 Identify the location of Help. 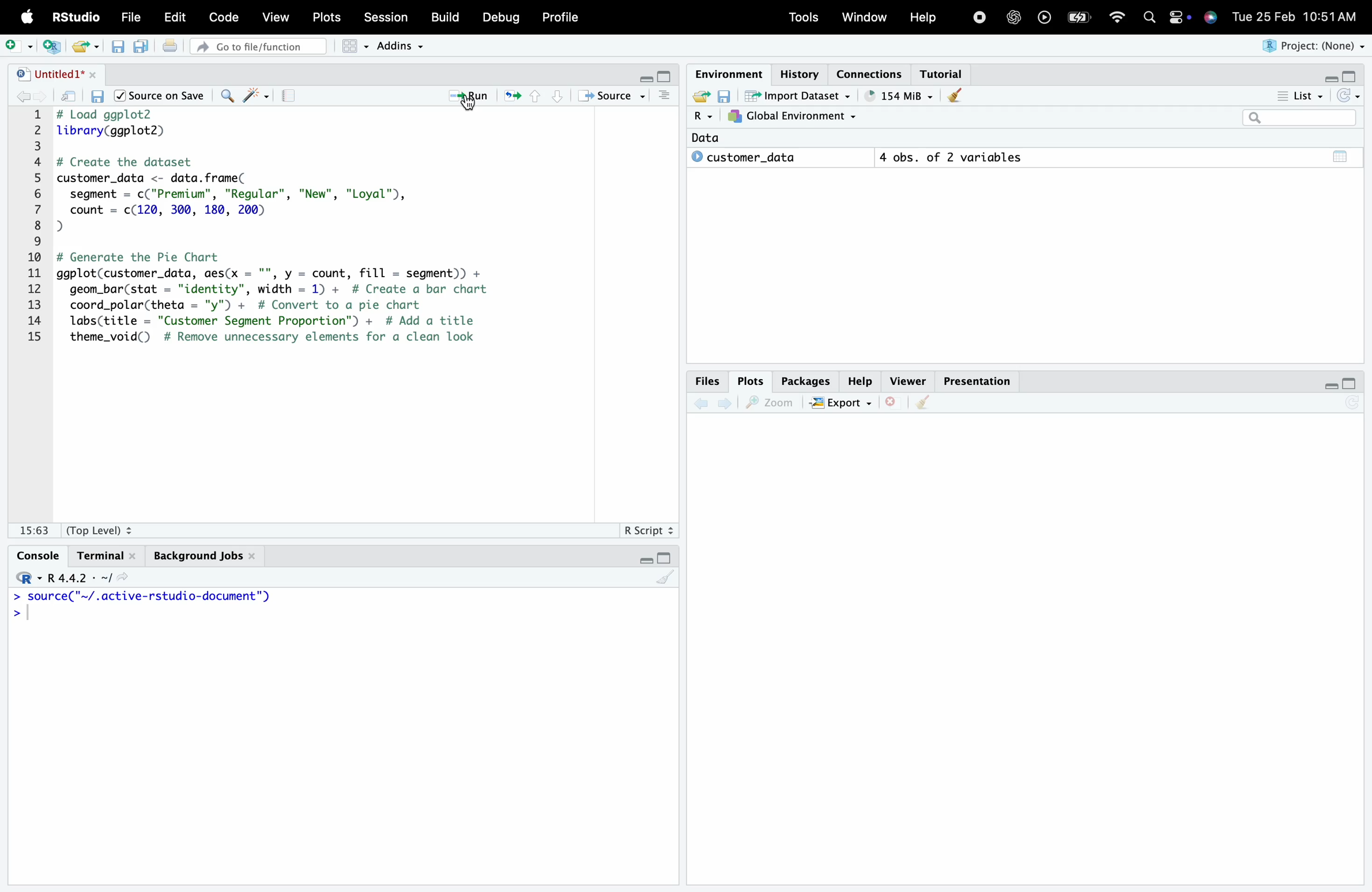
(924, 16).